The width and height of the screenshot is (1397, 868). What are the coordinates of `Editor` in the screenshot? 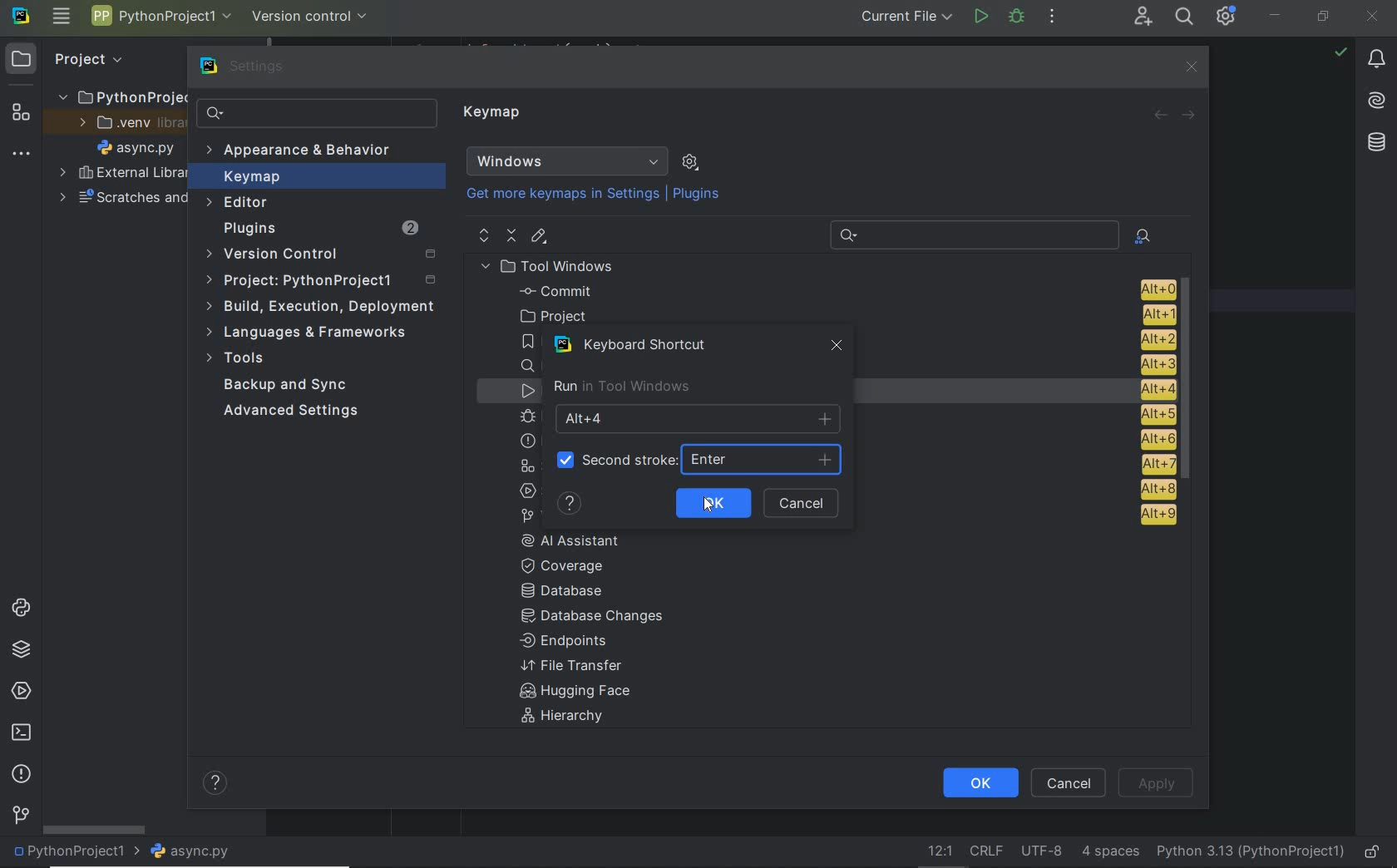 It's located at (239, 203).